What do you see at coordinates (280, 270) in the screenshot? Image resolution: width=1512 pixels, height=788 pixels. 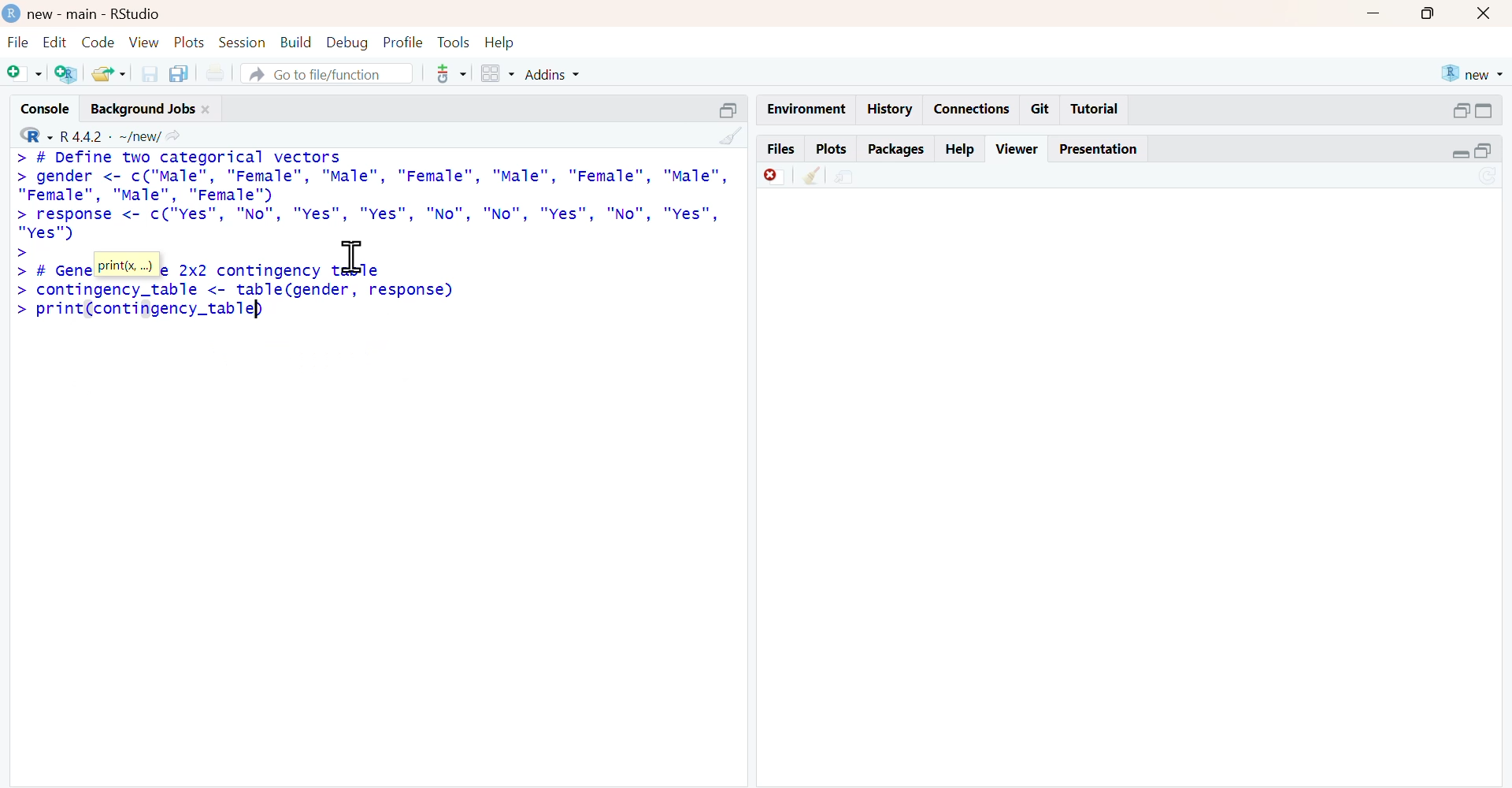 I see `2X2 contingency table` at bounding box center [280, 270].